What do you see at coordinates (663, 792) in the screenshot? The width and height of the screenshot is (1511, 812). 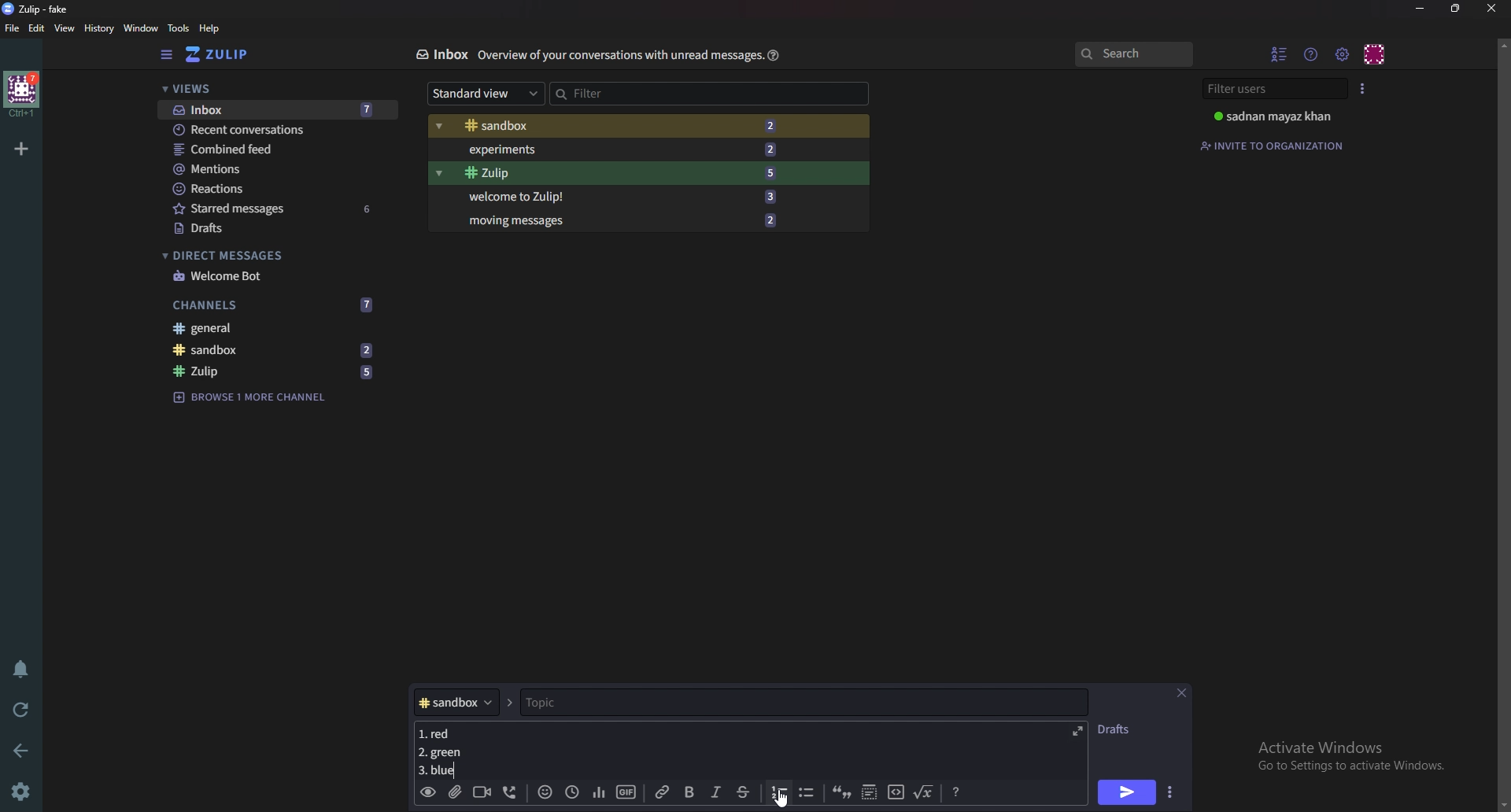 I see `link` at bounding box center [663, 792].